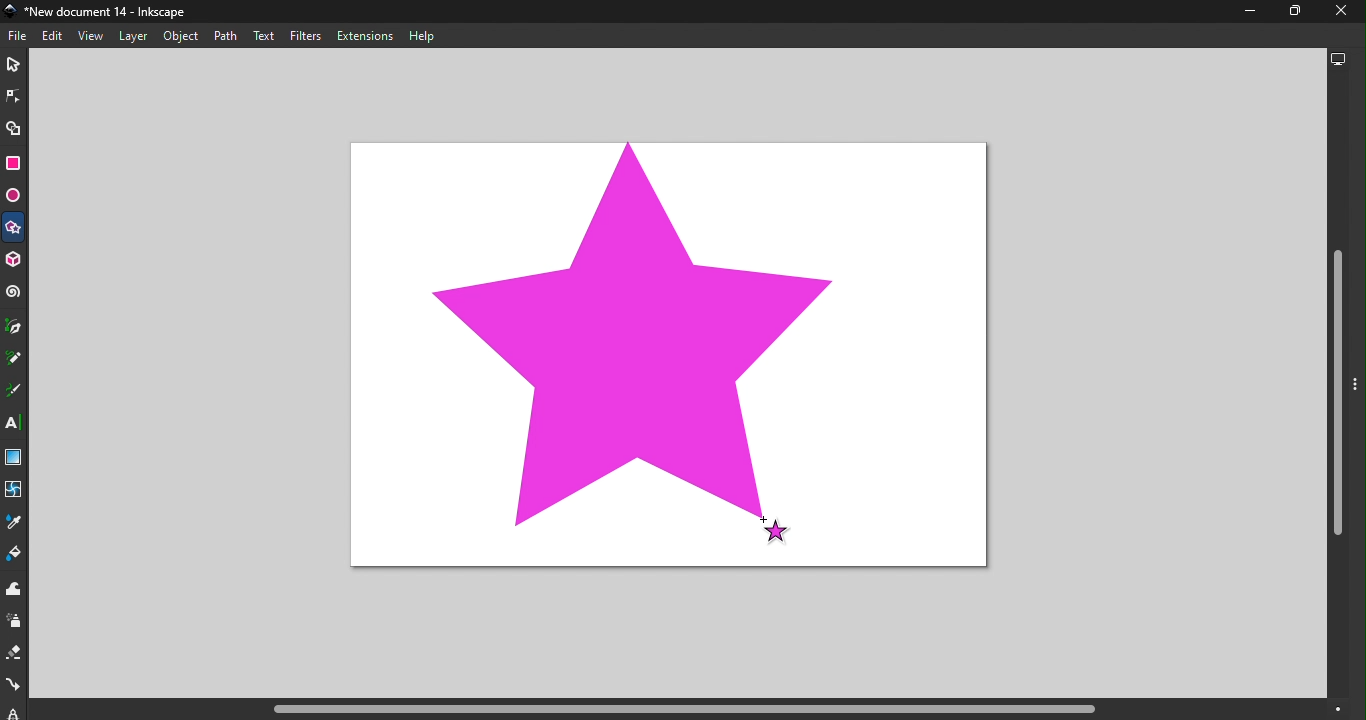 This screenshot has height=720, width=1366. What do you see at coordinates (102, 13) in the screenshot?
I see `File name` at bounding box center [102, 13].